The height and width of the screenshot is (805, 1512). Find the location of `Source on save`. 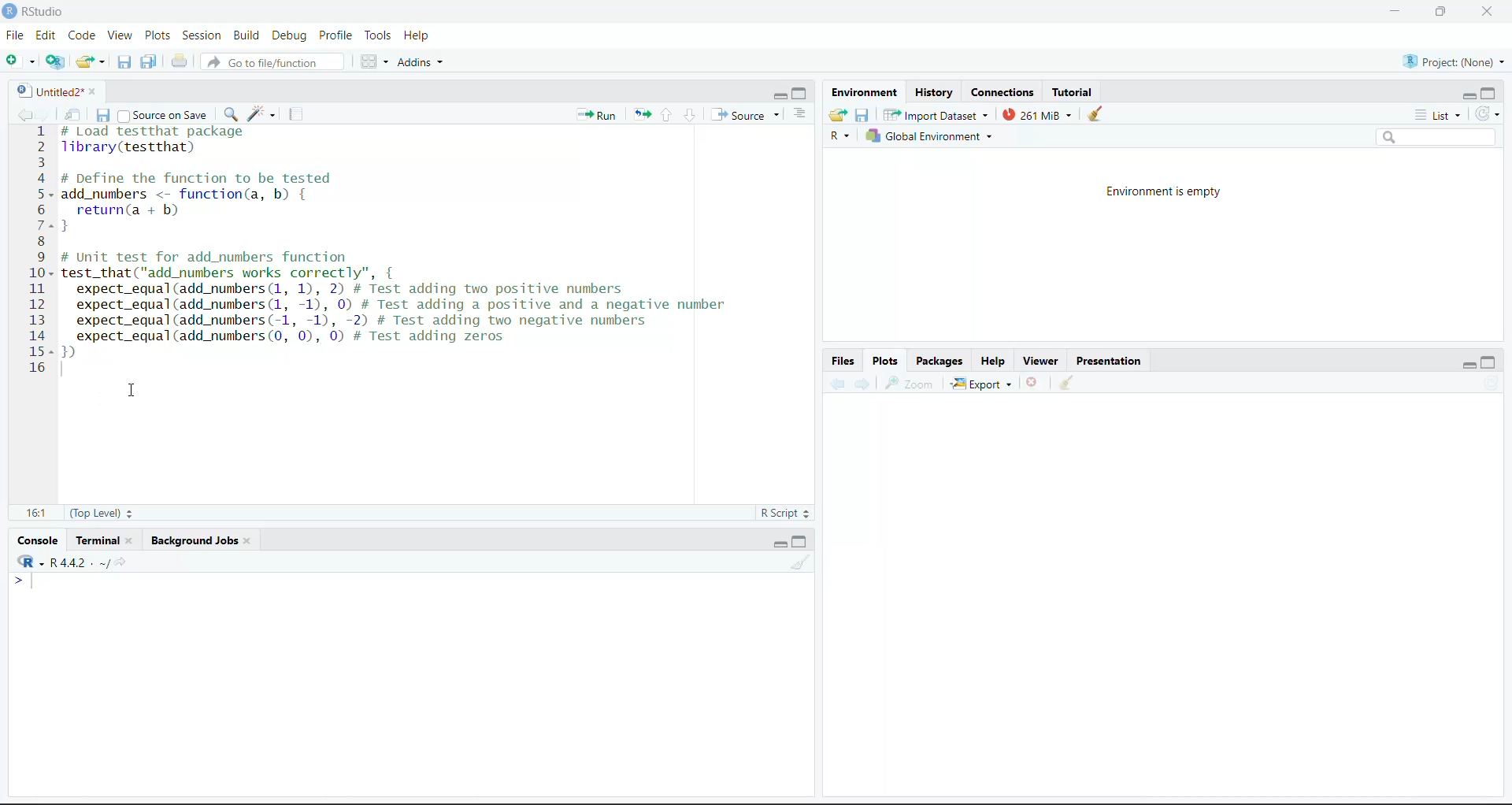

Source on save is located at coordinates (162, 116).